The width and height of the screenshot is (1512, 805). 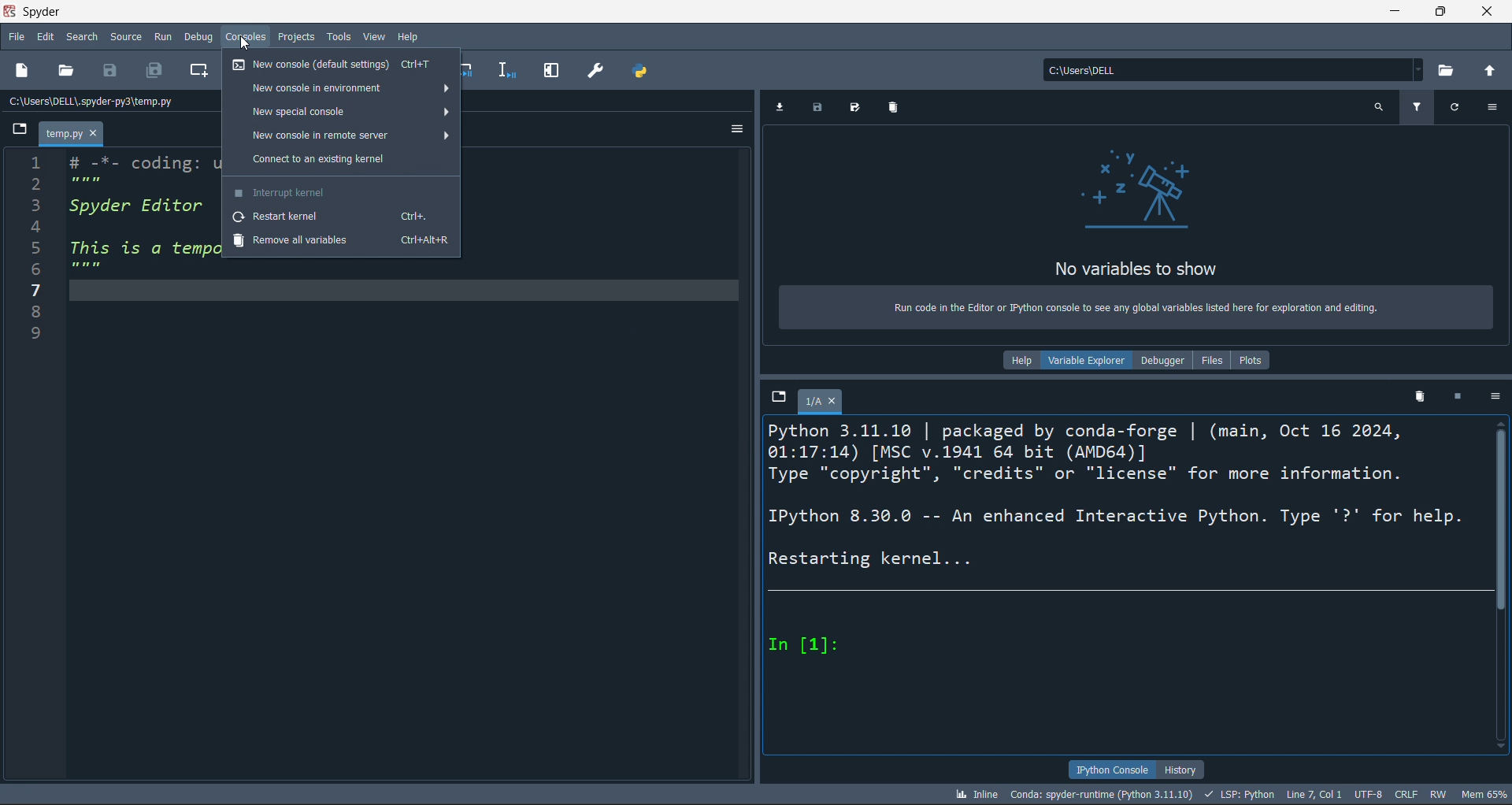 I want to click on preferences, so click(x=598, y=72).